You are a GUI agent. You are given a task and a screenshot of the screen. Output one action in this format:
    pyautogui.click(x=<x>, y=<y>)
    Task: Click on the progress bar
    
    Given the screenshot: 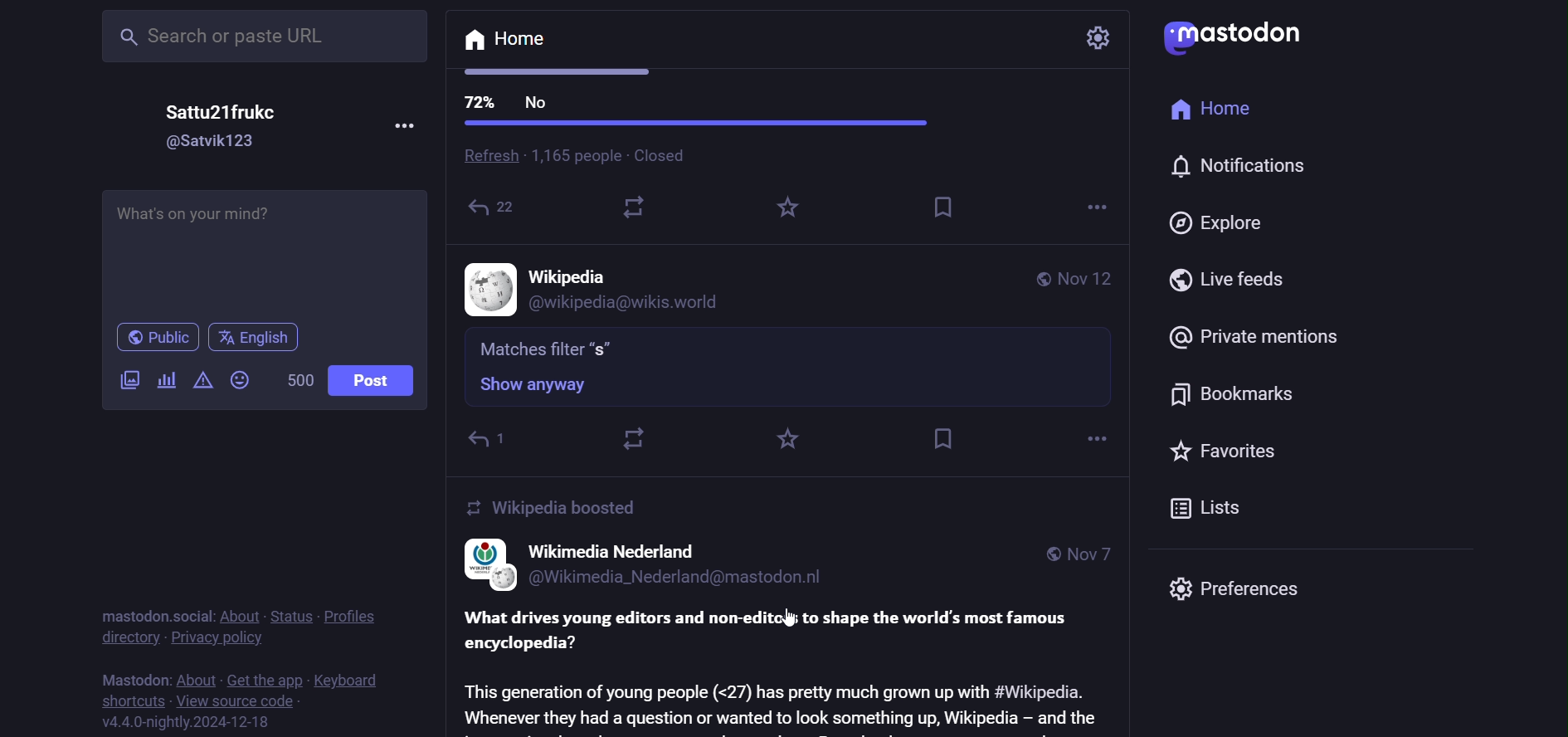 What is the action you would take?
    pyautogui.click(x=697, y=124)
    